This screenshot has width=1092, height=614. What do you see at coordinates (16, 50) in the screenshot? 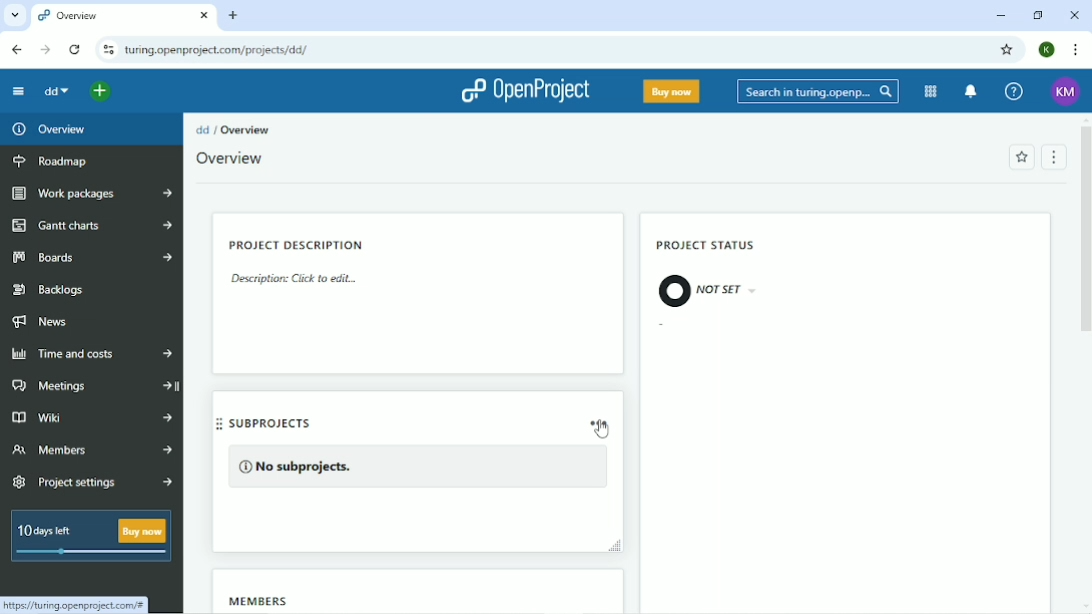
I see `Back` at bounding box center [16, 50].